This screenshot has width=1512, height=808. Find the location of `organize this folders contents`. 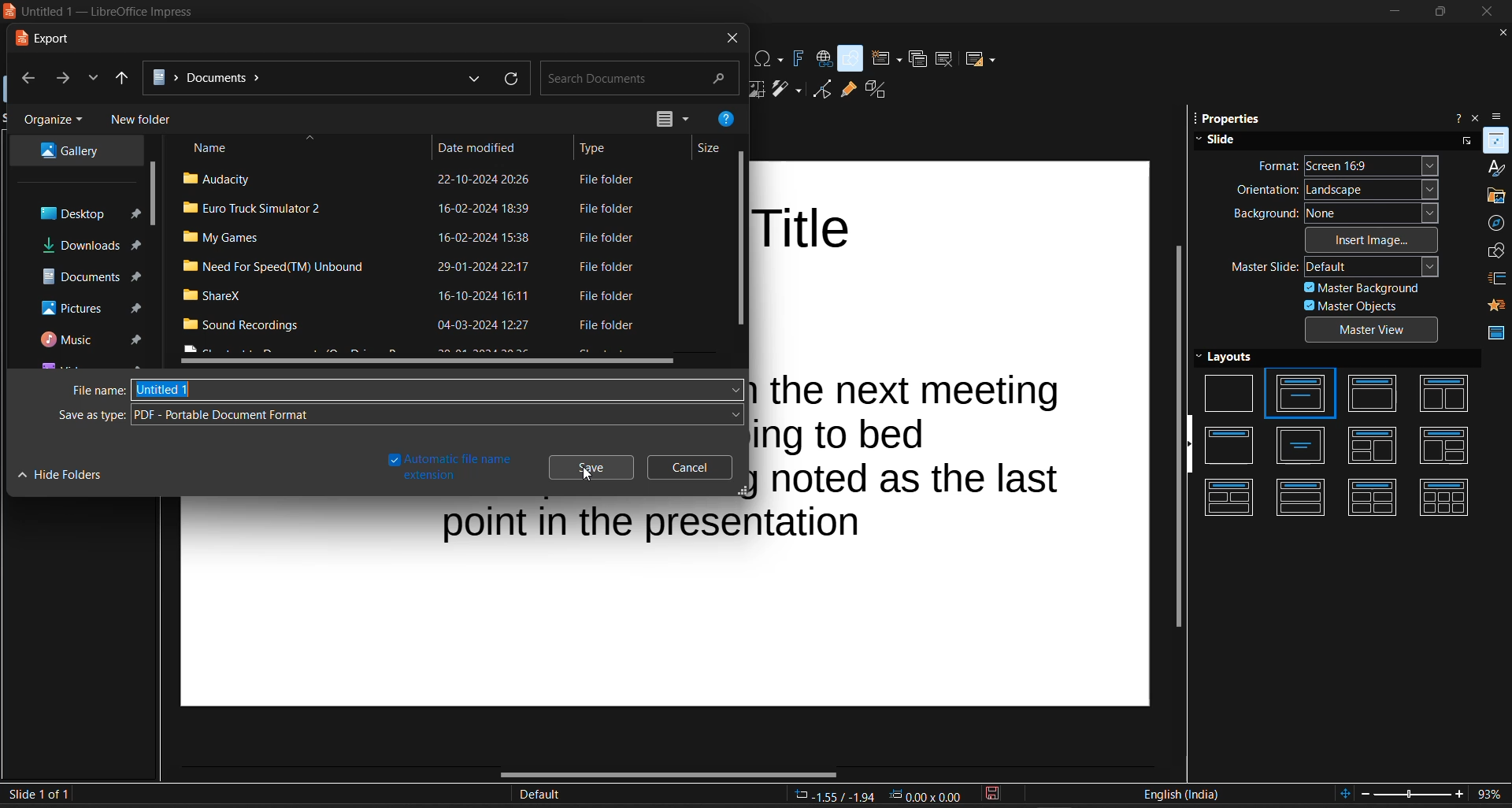

organize this folders contents is located at coordinates (55, 120).